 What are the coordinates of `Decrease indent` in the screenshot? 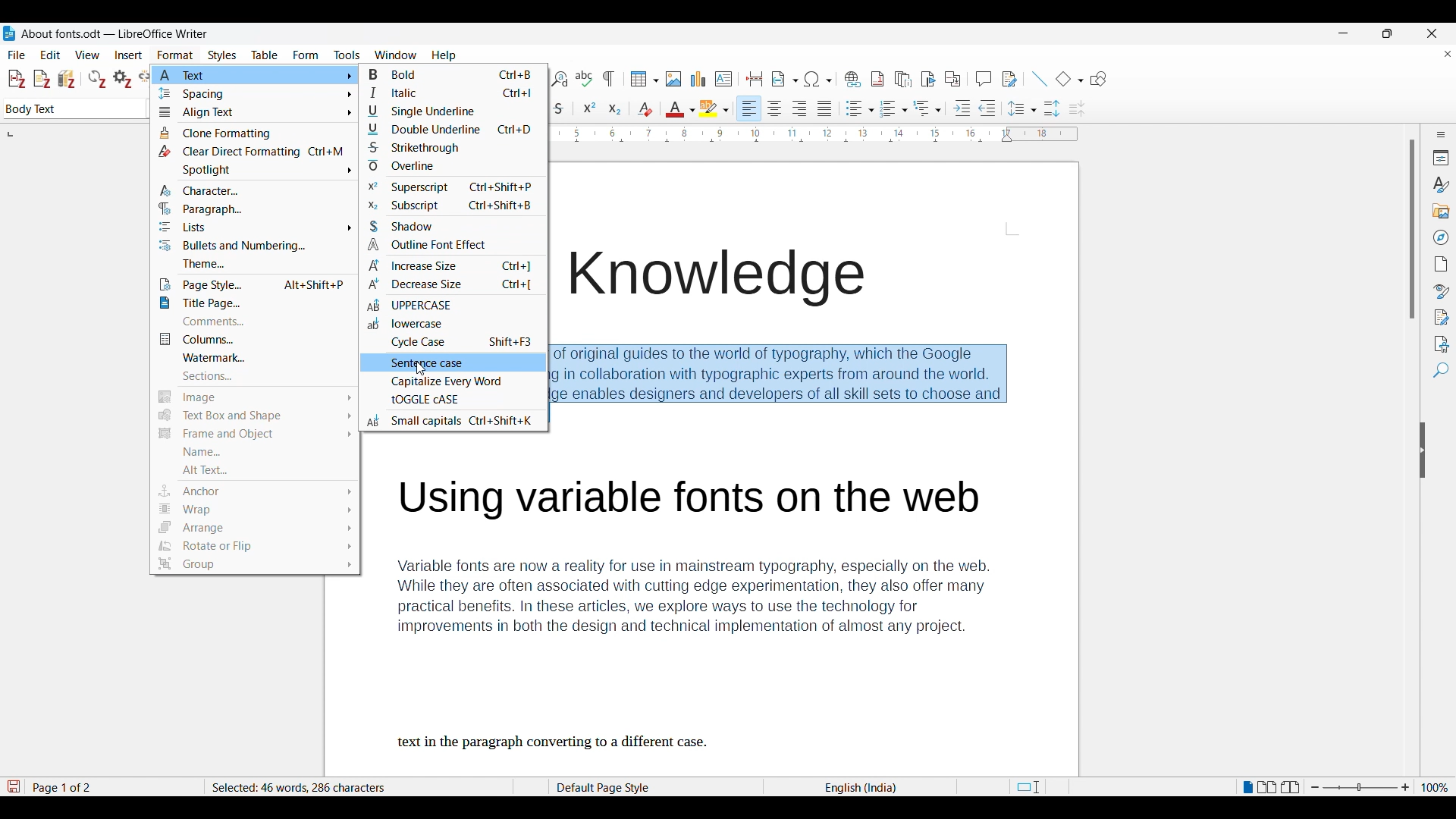 It's located at (987, 108).